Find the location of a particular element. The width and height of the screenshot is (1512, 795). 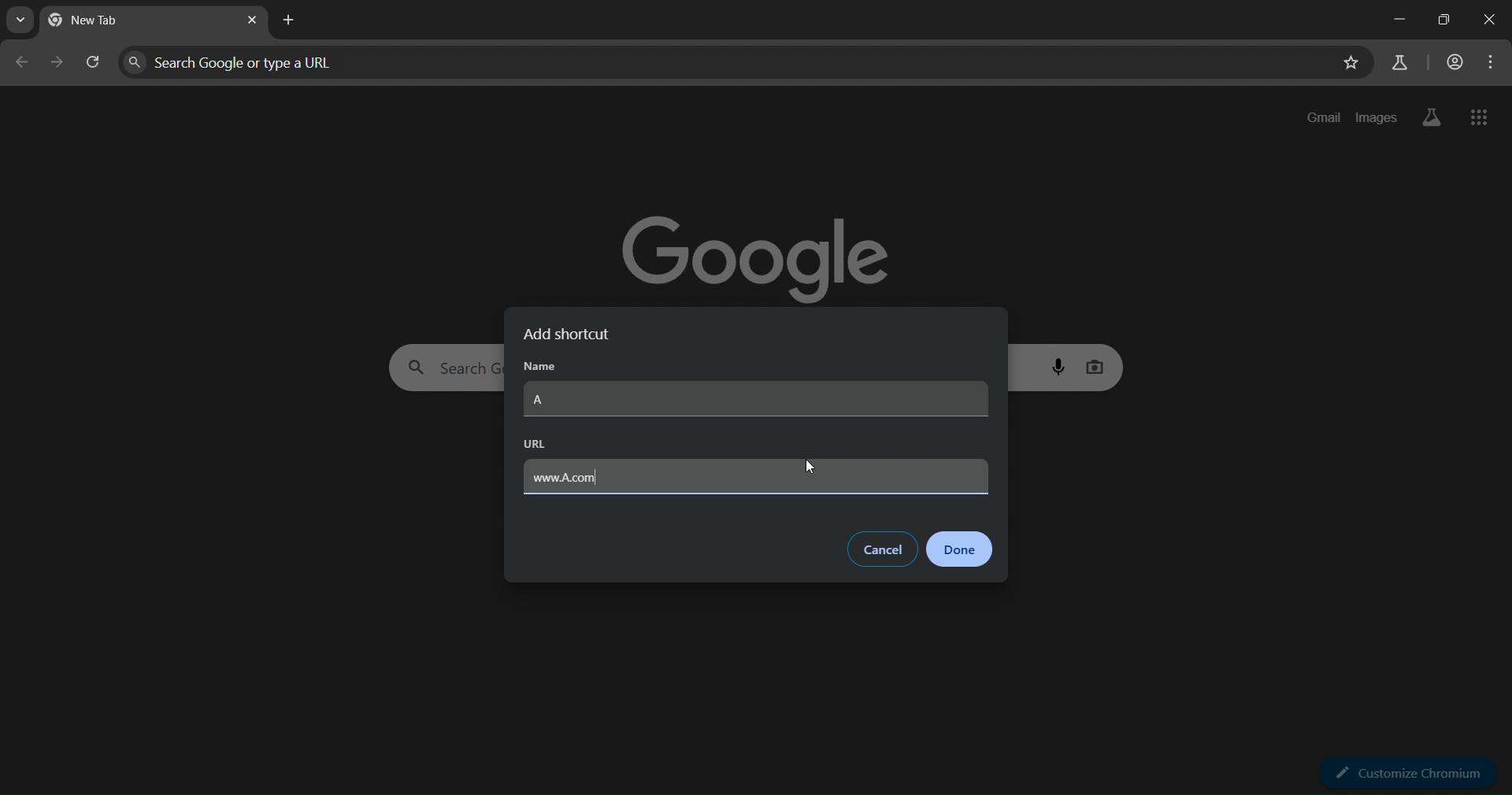

add shortcut is located at coordinates (574, 335).